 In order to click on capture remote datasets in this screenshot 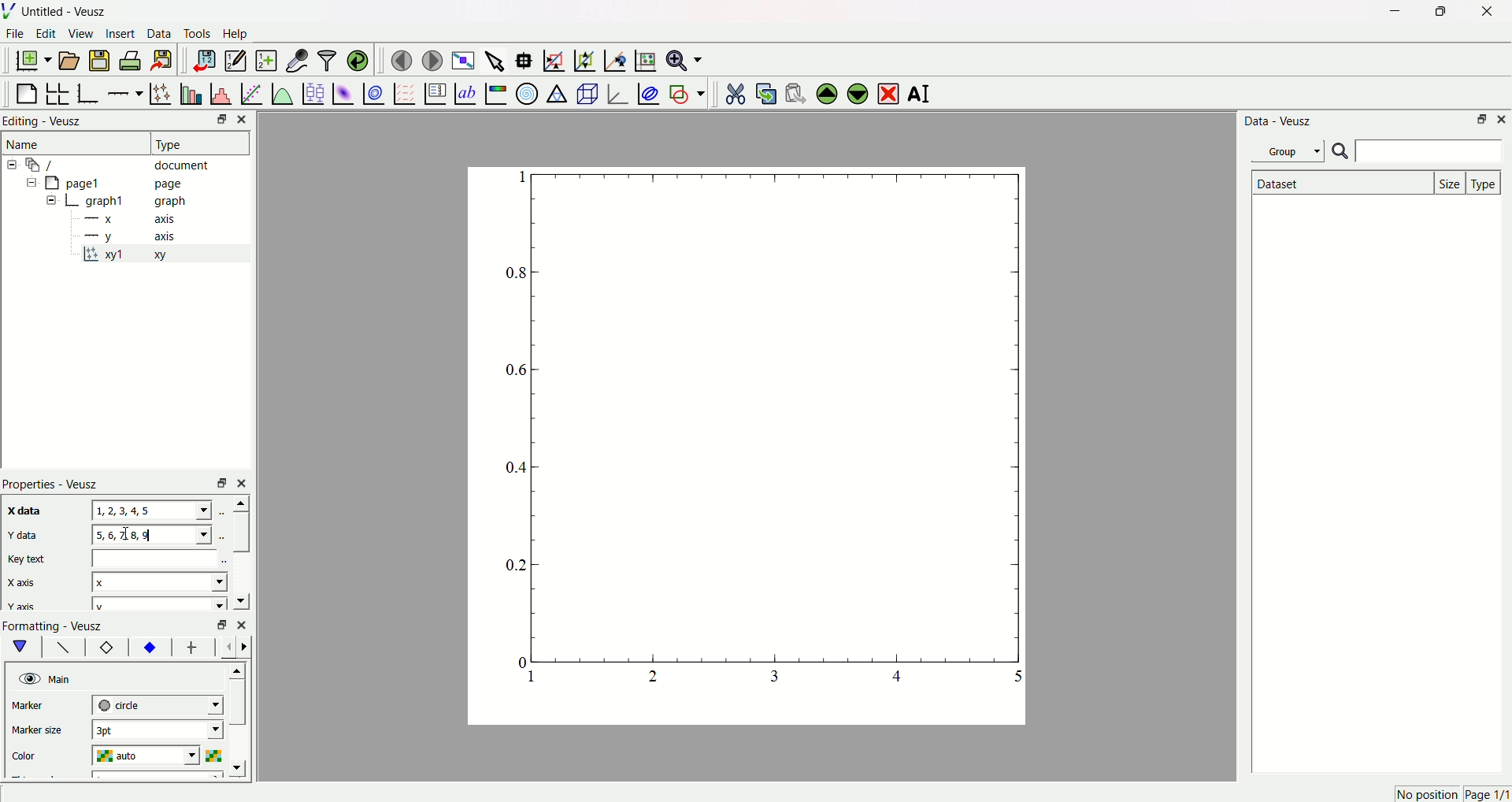, I will do `click(295, 59)`.